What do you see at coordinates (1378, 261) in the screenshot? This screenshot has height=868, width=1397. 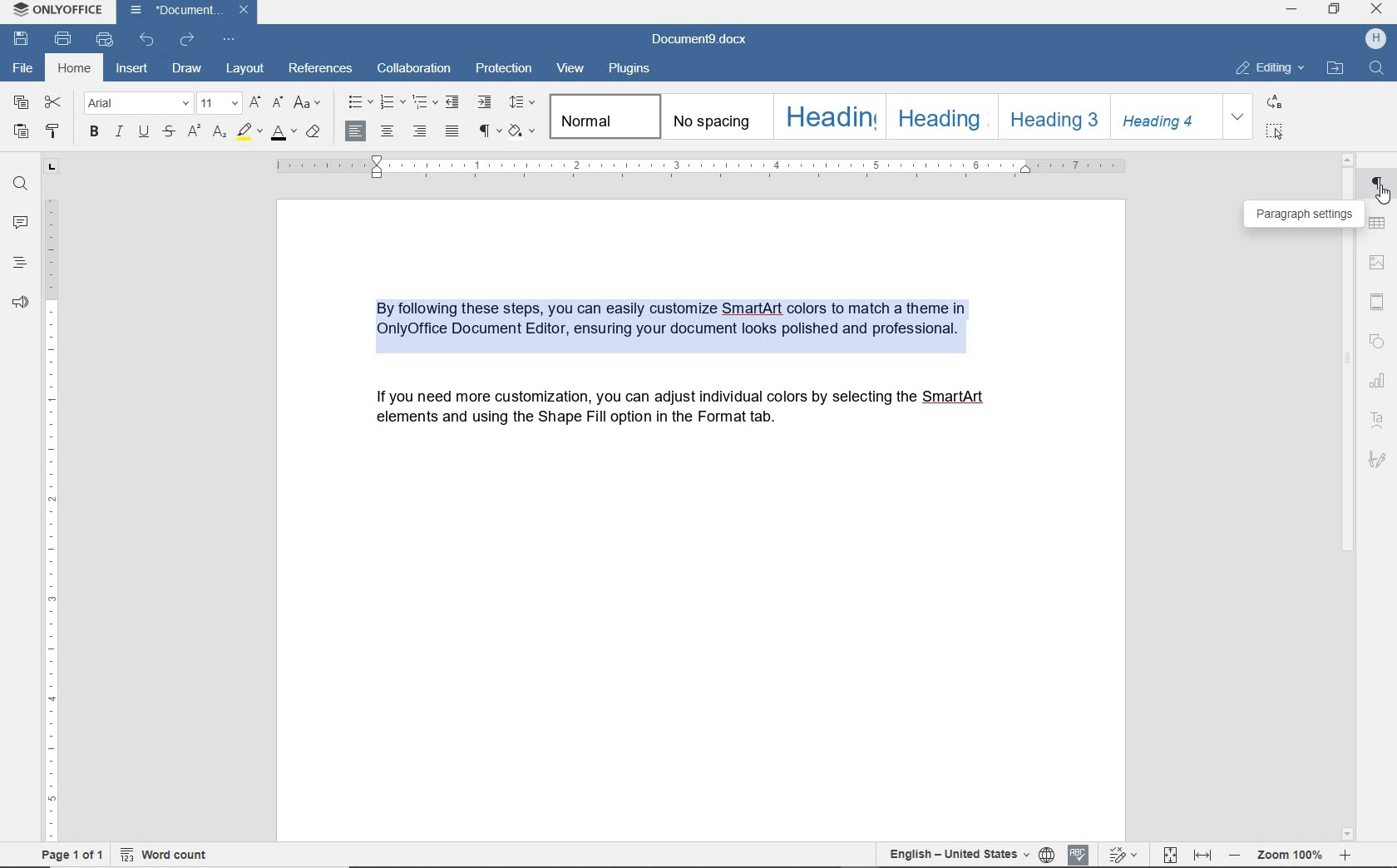 I see `image` at bounding box center [1378, 261].